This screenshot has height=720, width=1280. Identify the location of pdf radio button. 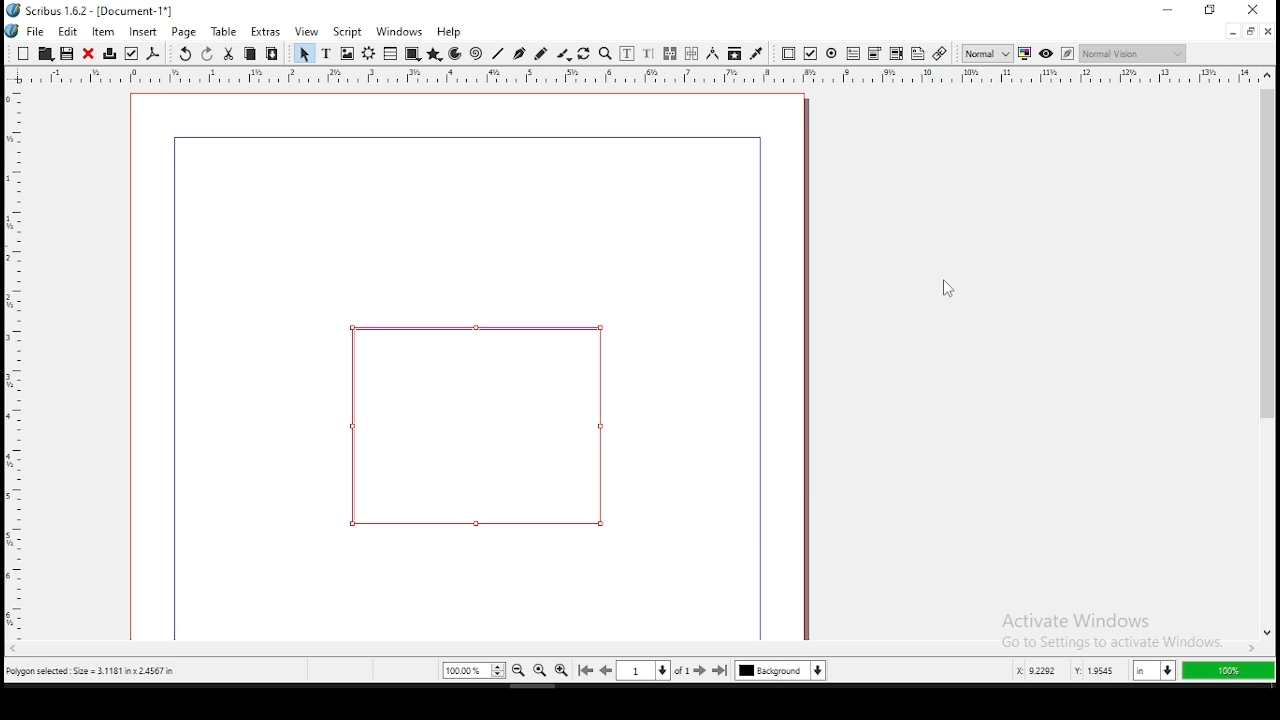
(832, 53).